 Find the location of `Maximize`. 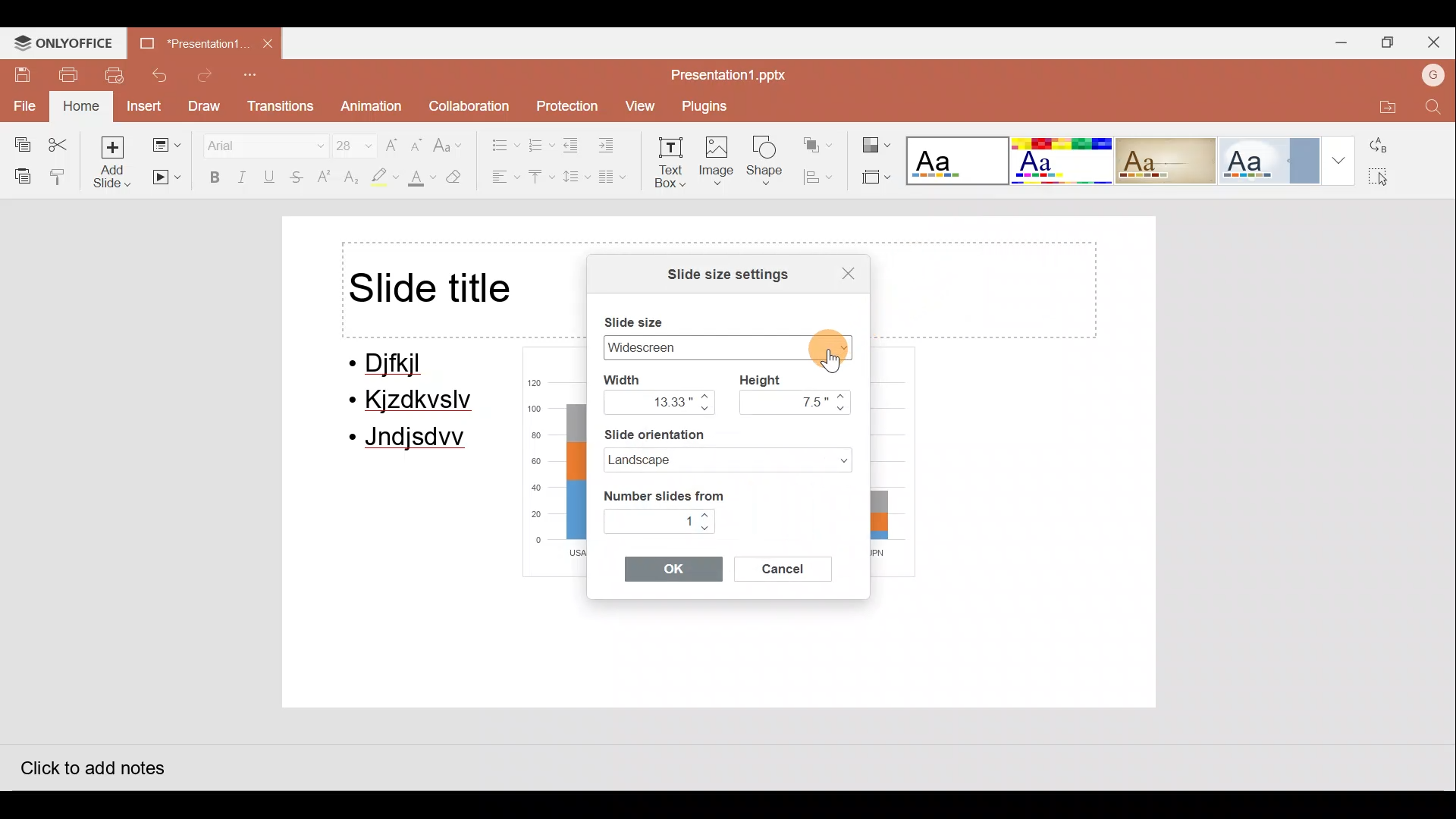

Maximize is located at coordinates (1389, 44).